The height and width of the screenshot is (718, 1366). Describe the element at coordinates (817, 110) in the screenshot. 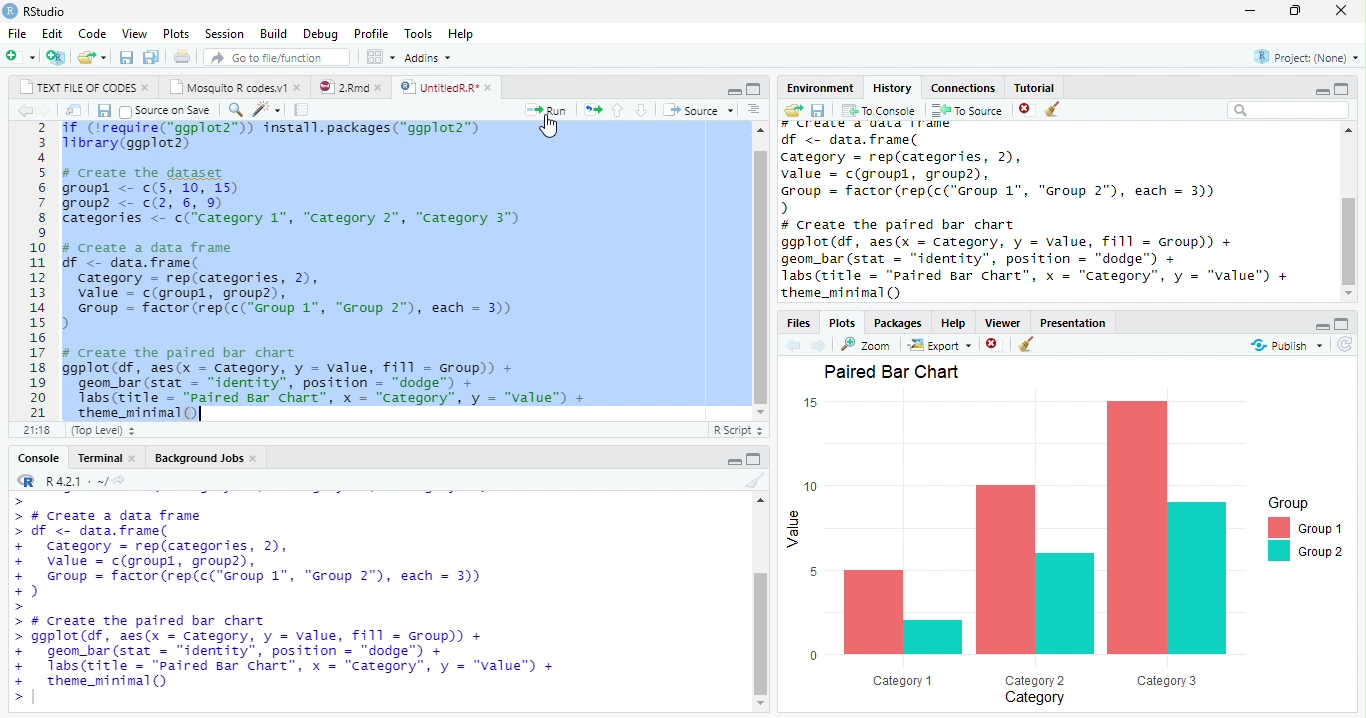

I see `save history ` at that location.